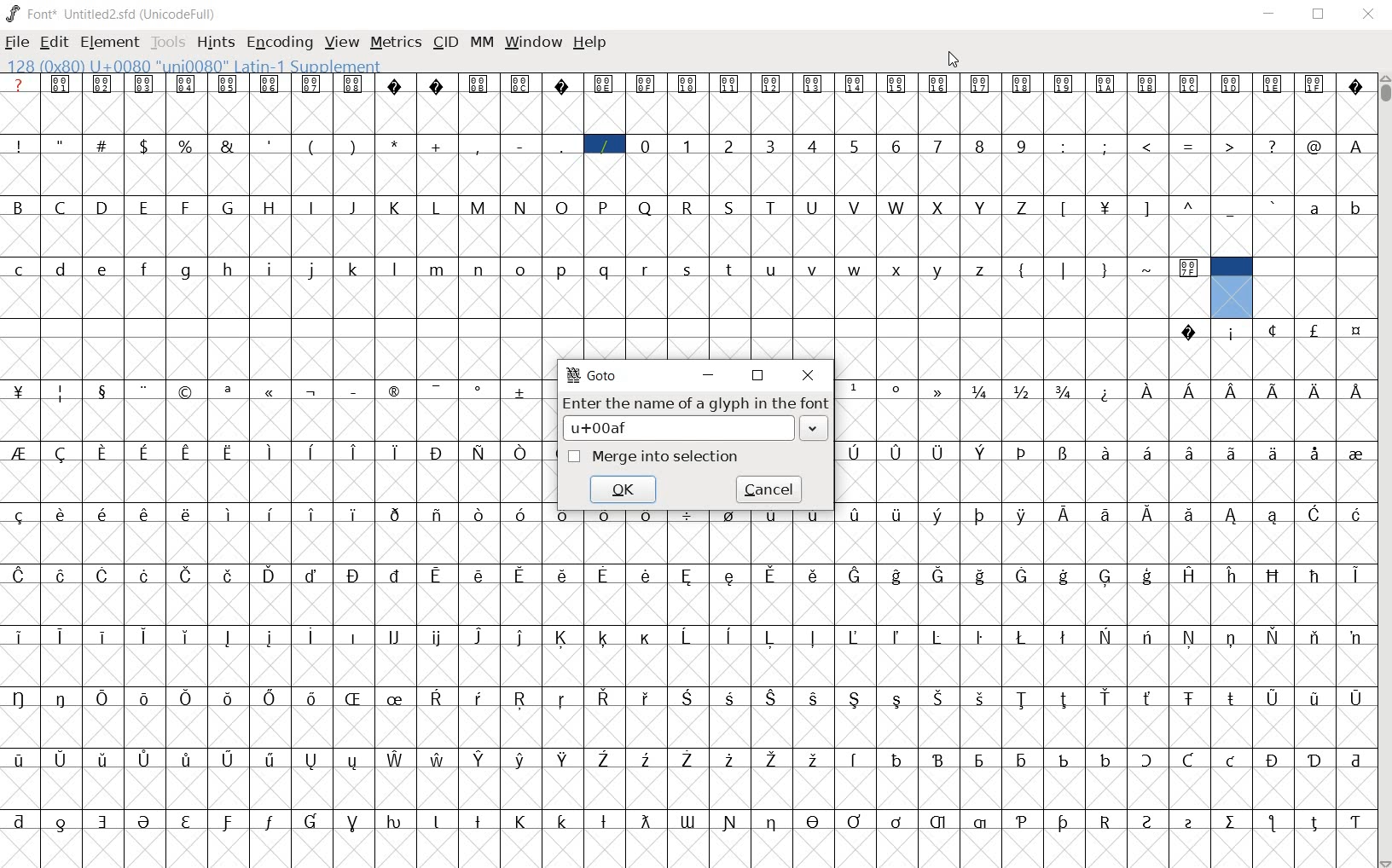 The image size is (1392, 868). Describe the element at coordinates (145, 207) in the screenshot. I see `E` at that location.